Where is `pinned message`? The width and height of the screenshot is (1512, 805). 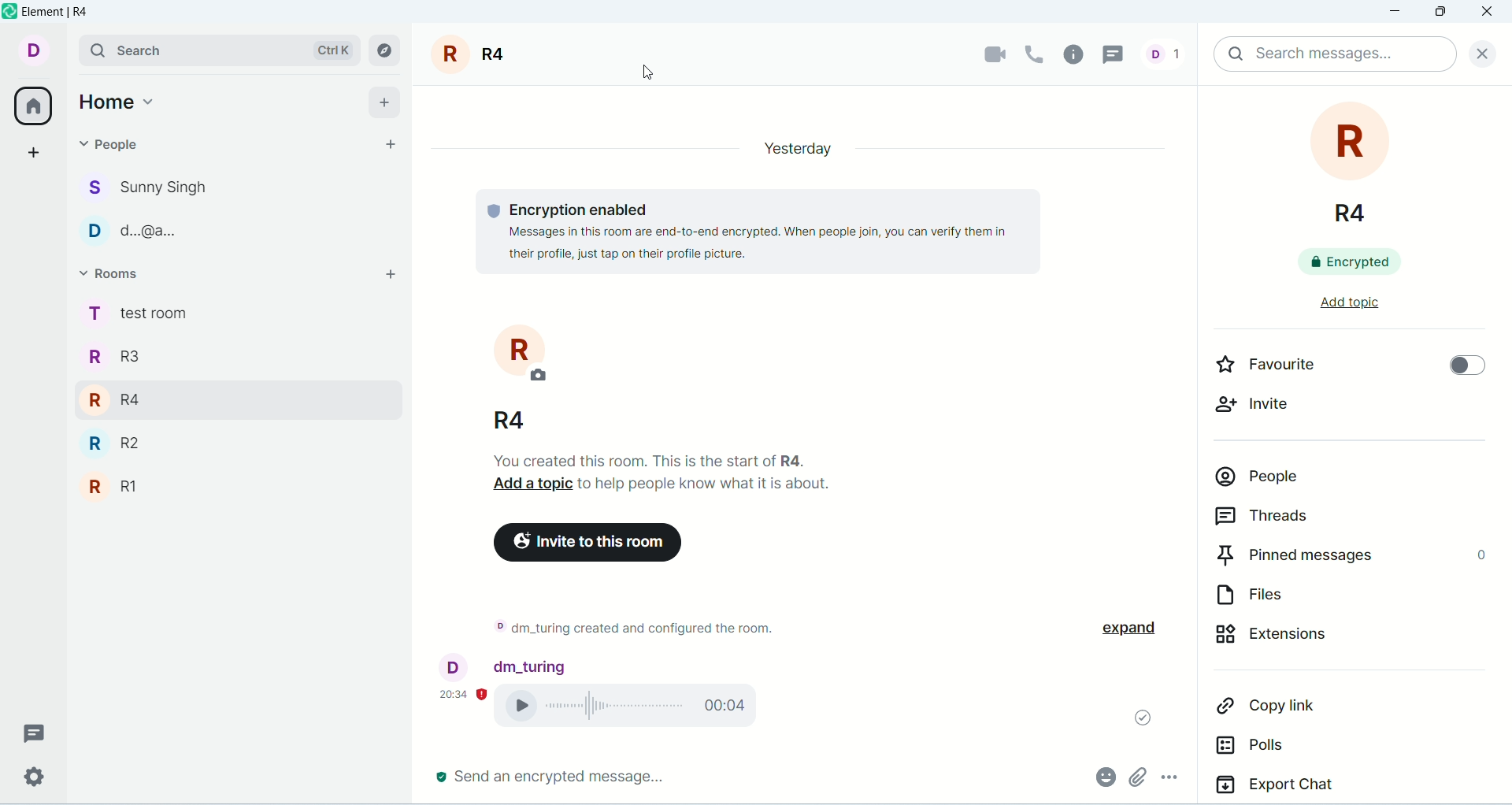
pinned message is located at coordinates (1349, 558).